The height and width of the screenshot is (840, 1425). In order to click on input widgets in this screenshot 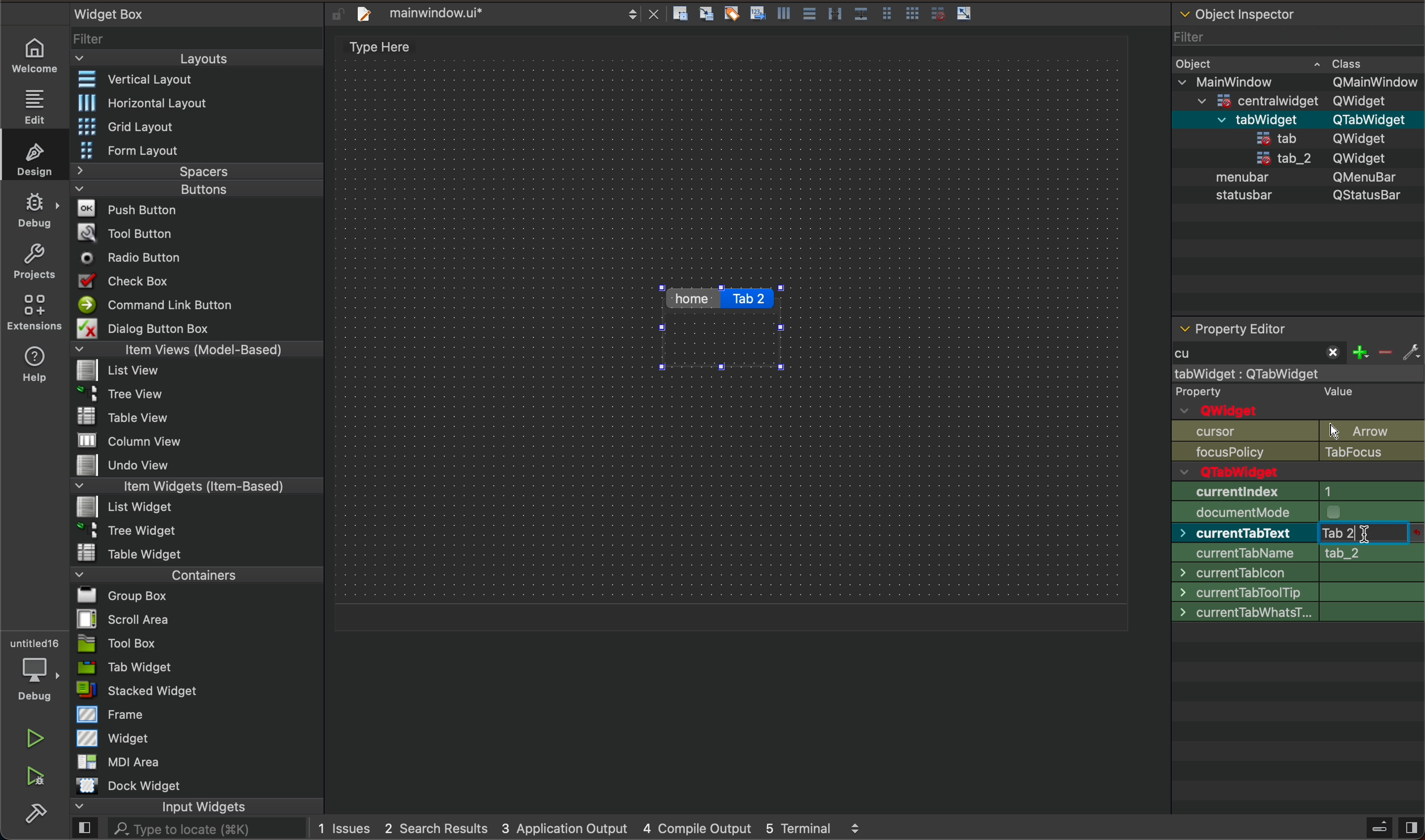, I will do `click(199, 808)`.